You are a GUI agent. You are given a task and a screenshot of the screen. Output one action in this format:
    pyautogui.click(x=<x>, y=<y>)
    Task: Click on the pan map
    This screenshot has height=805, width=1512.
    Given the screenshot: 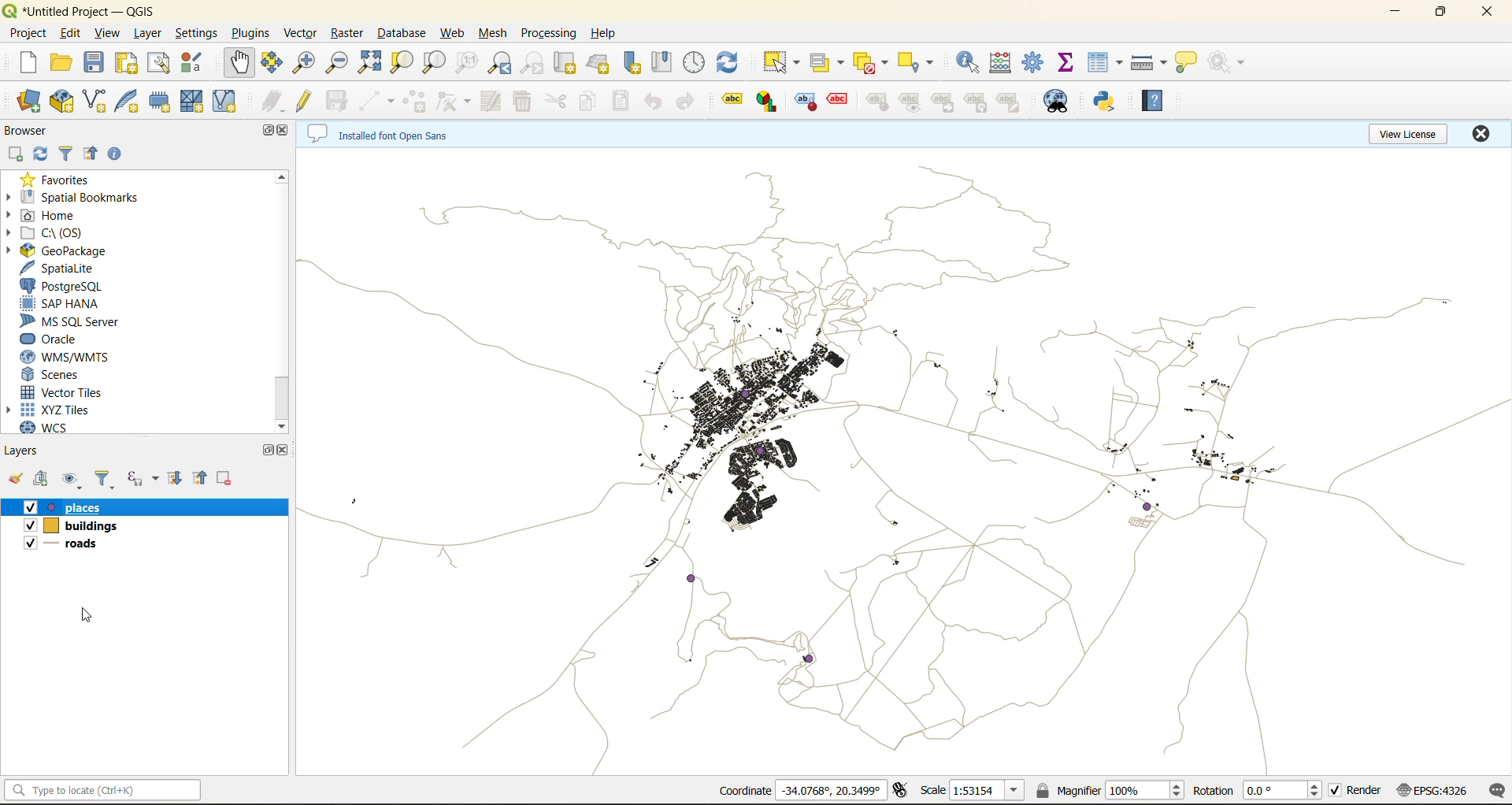 What is the action you would take?
    pyautogui.click(x=239, y=63)
    